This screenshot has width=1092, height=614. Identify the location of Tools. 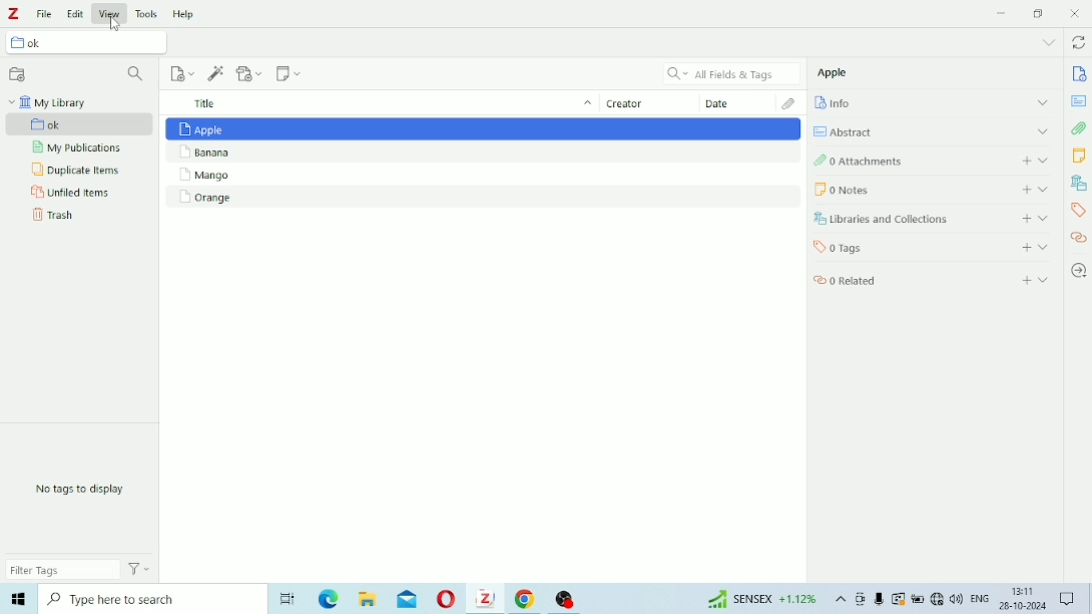
(146, 11).